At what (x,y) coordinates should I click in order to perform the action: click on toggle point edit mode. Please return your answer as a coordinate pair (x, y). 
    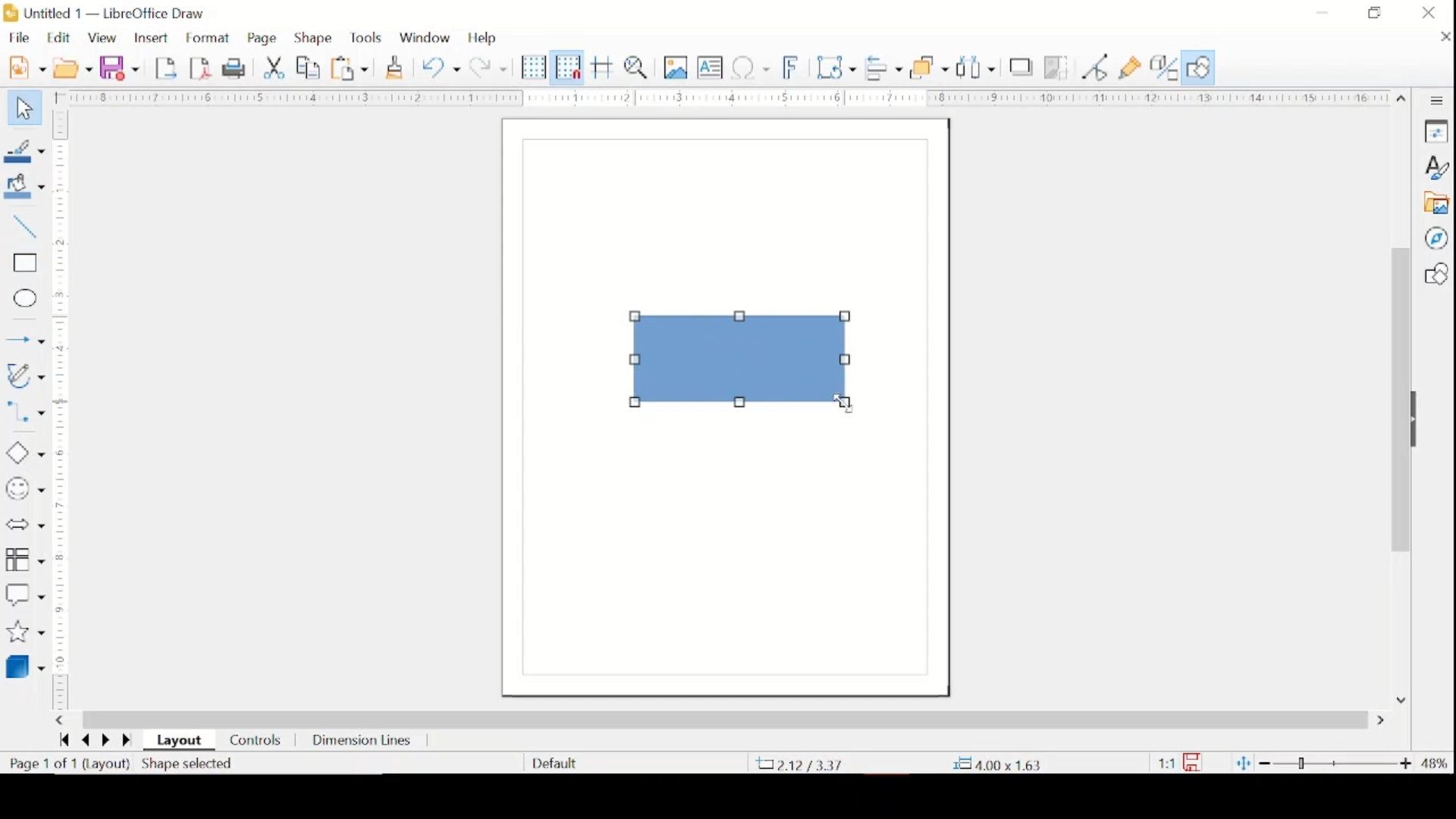
    Looking at the image, I should click on (1096, 67).